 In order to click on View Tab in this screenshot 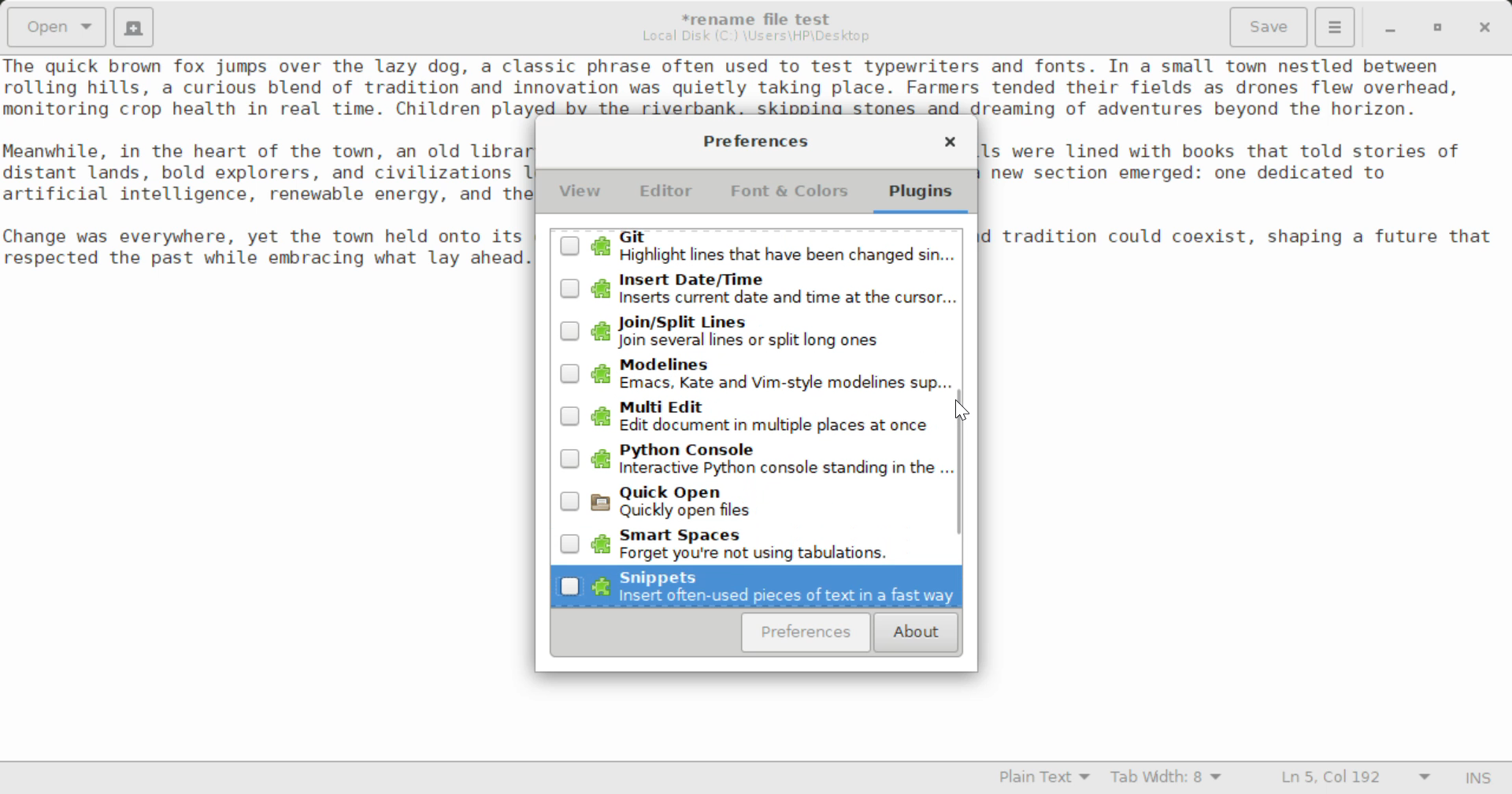, I will do `click(580, 195)`.